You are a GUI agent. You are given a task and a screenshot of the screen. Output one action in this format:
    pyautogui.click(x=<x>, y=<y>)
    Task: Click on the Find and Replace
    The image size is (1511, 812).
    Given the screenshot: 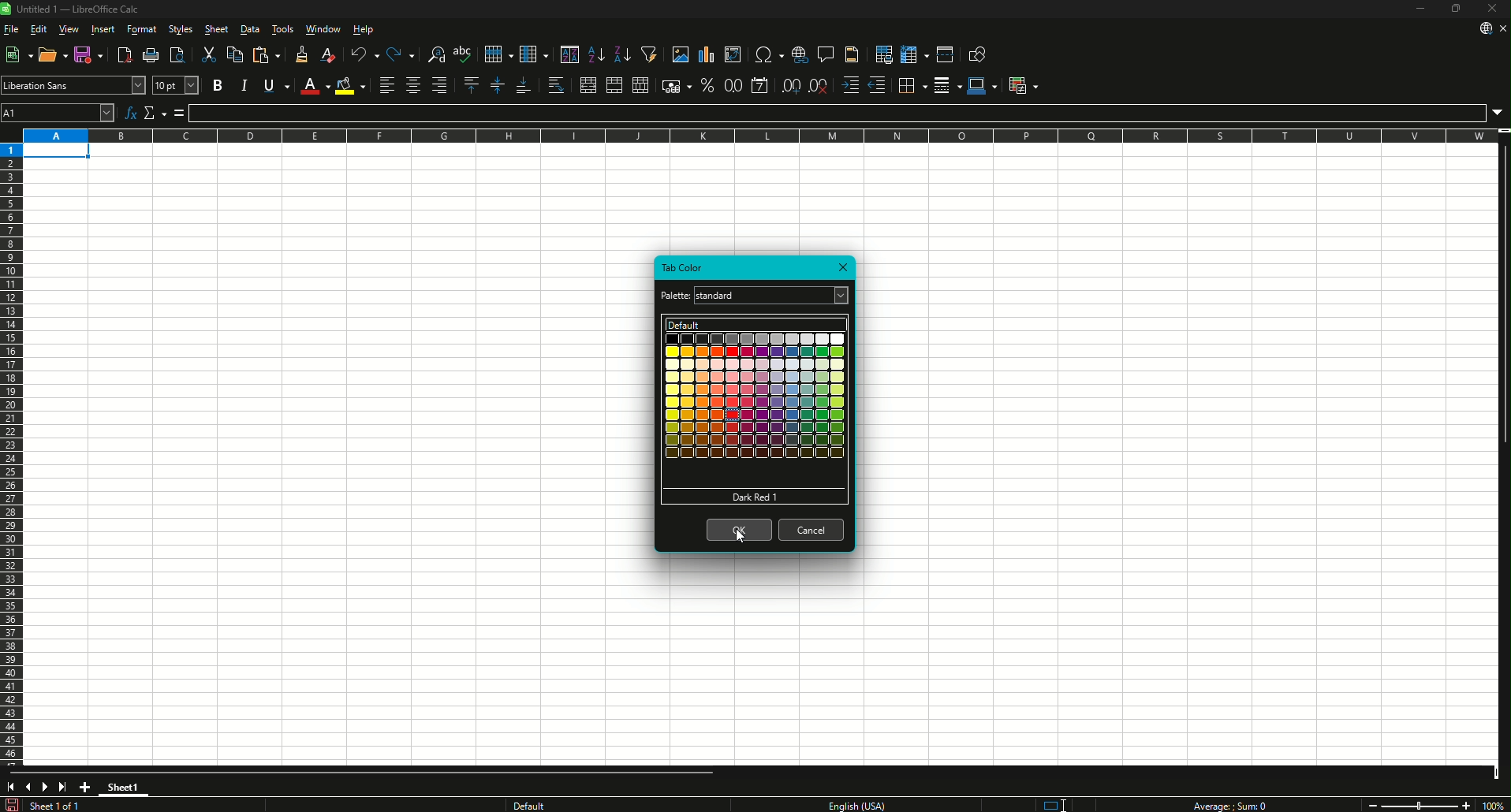 What is the action you would take?
    pyautogui.click(x=435, y=54)
    